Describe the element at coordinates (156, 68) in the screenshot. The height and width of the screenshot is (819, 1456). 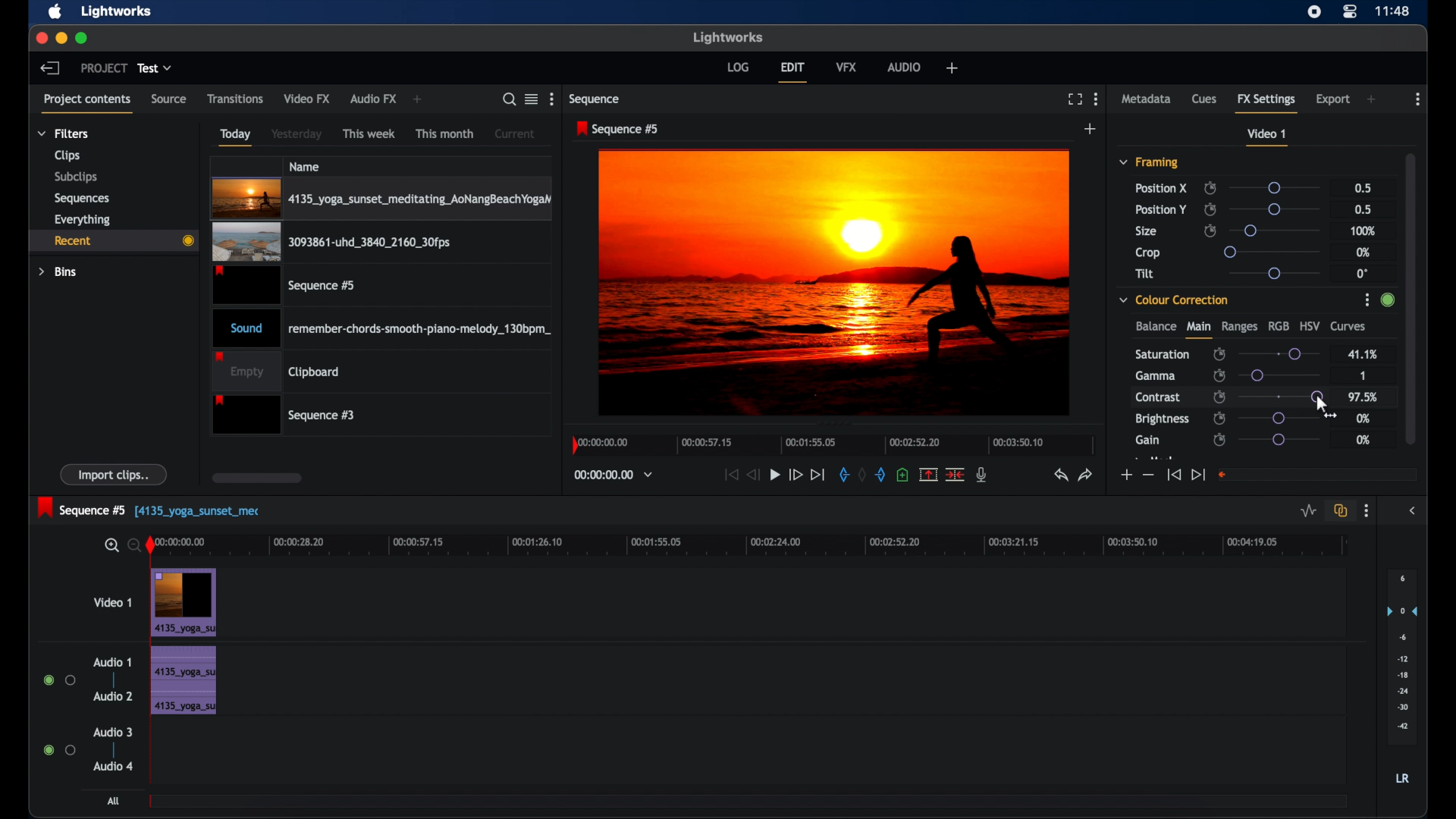
I see `test` at that location.